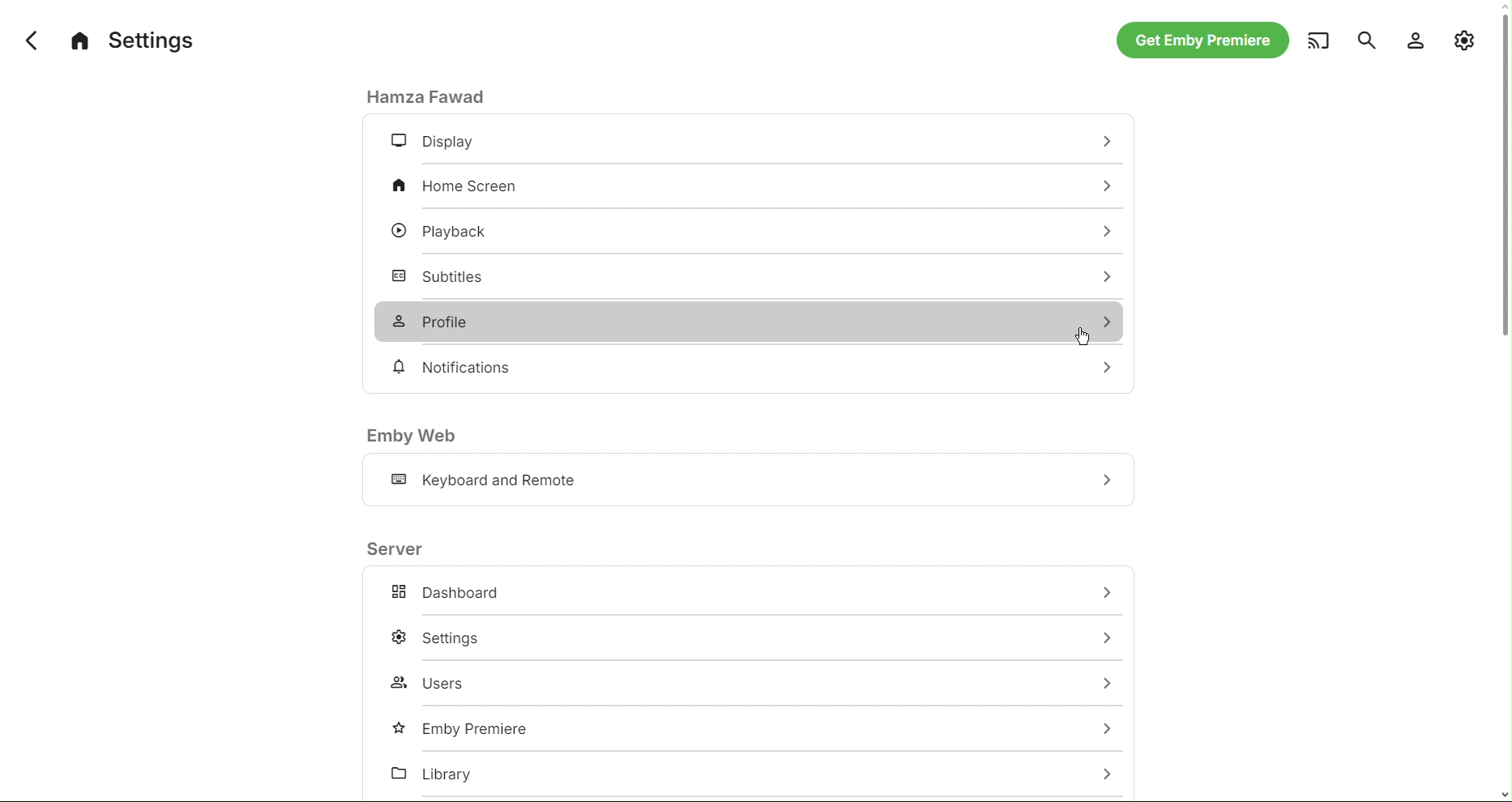 This screenshot has height=802, width=1512. I want to click on Notifications, so click(457, 368).